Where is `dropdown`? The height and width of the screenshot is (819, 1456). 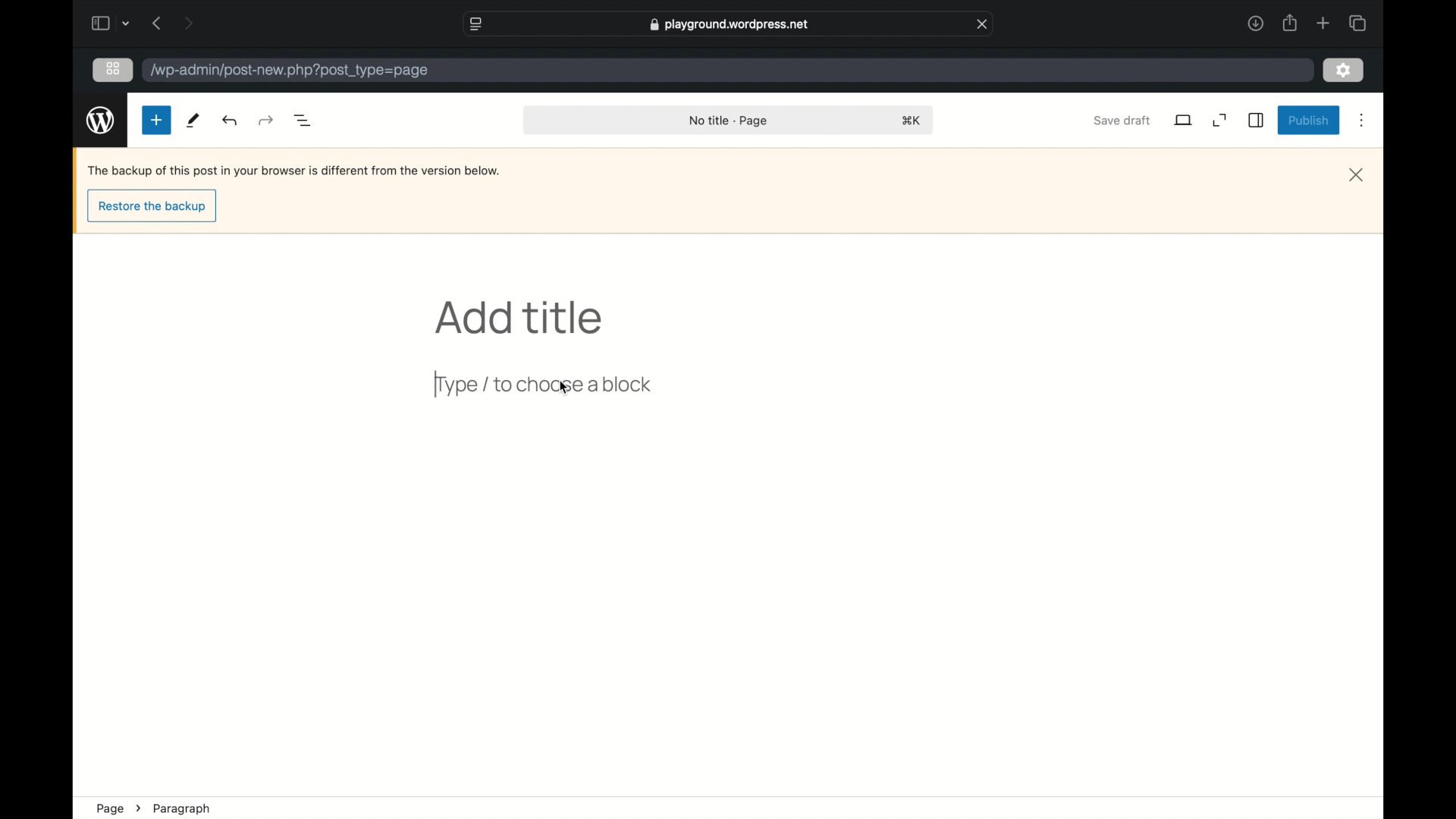
dropdown is located at coordinates (127, 24).